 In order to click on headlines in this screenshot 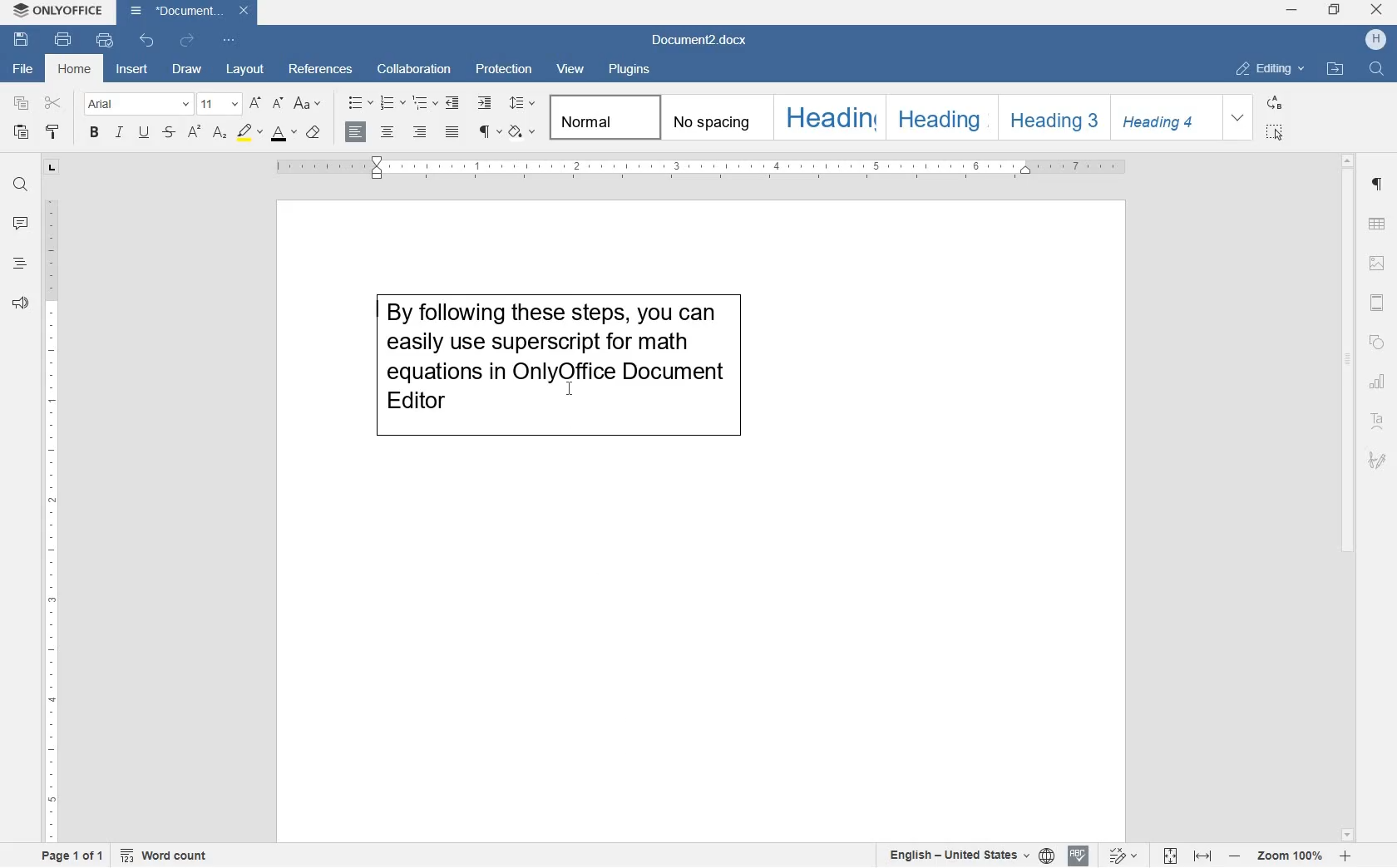, I will do `click(20, 267)`.